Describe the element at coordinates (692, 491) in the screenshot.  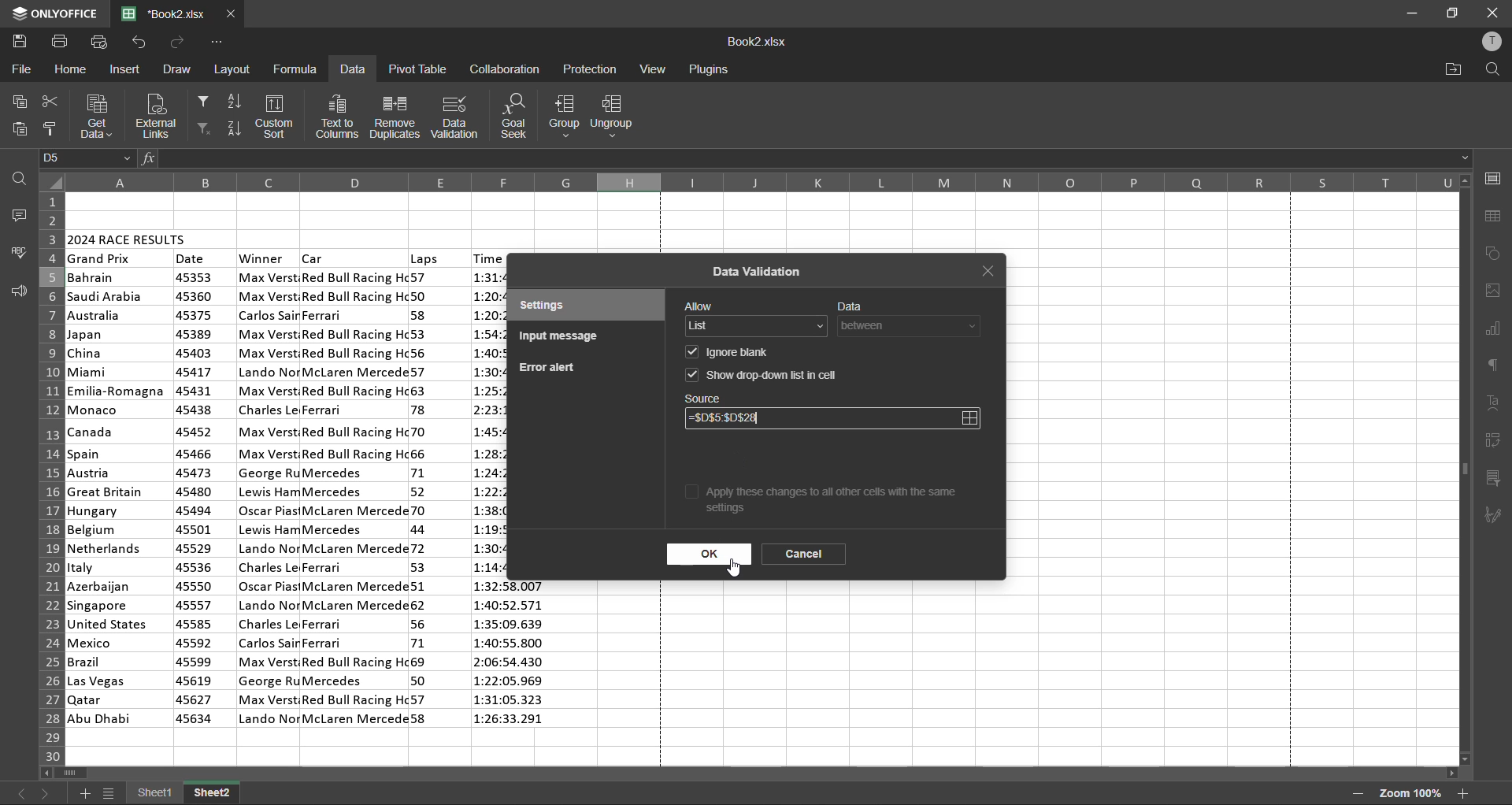
I see `checkbox` at that location.